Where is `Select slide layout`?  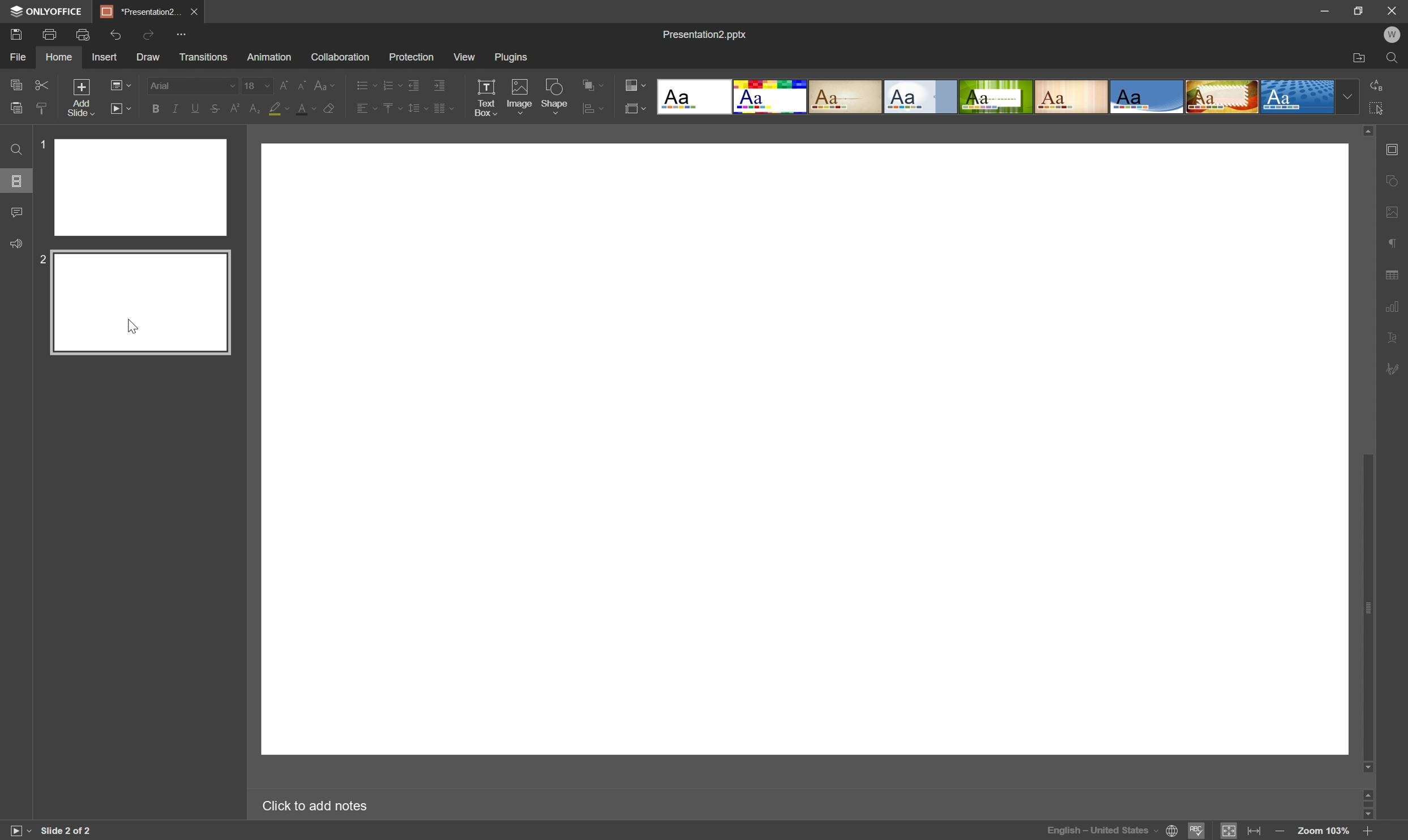 Select slide layout is located at coordinates (636, 107).